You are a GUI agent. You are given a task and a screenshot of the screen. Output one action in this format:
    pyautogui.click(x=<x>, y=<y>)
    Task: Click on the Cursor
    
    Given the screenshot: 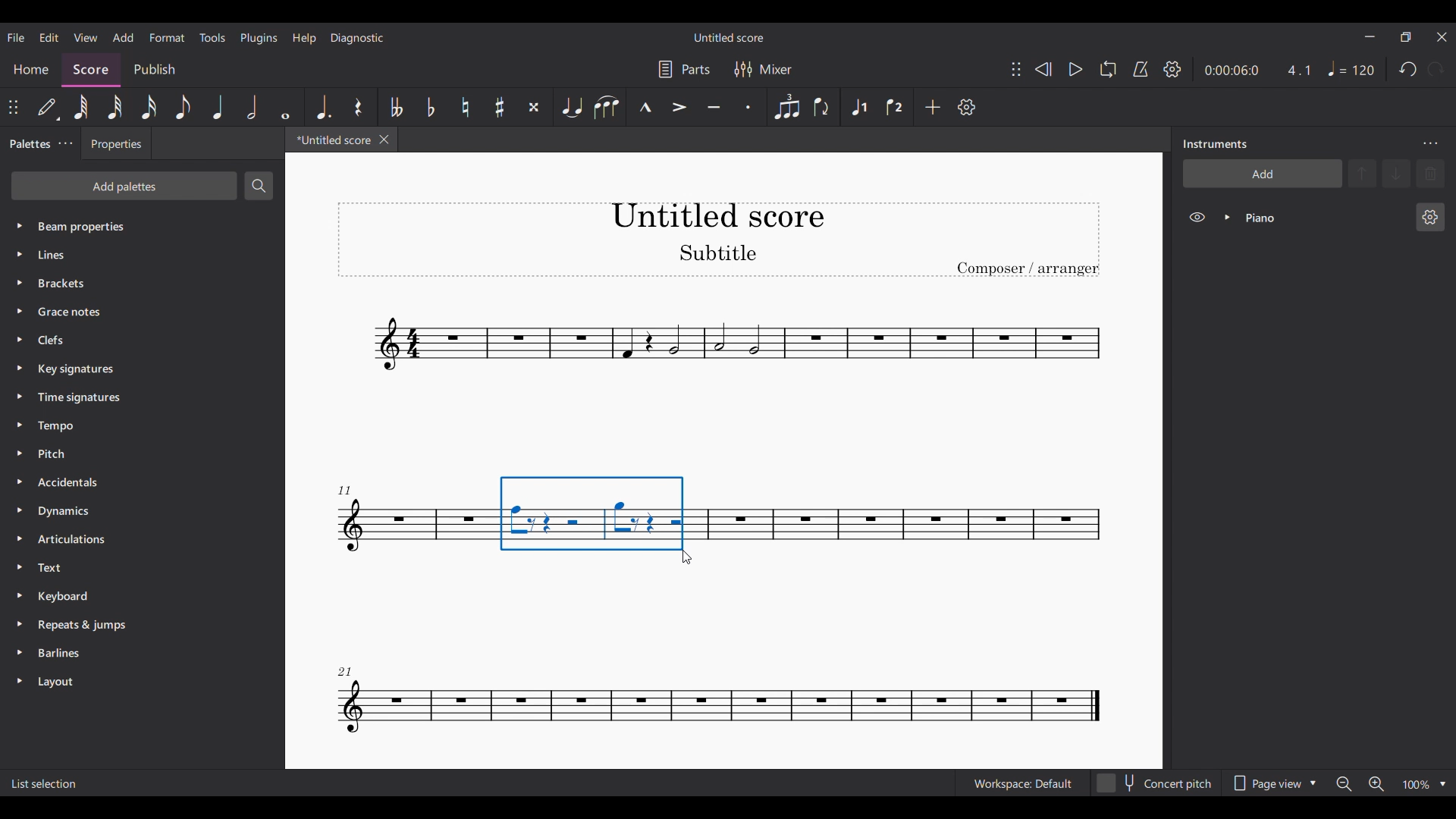 What is the action you would take?
    pyautogui.click(x=691, y=560)
    